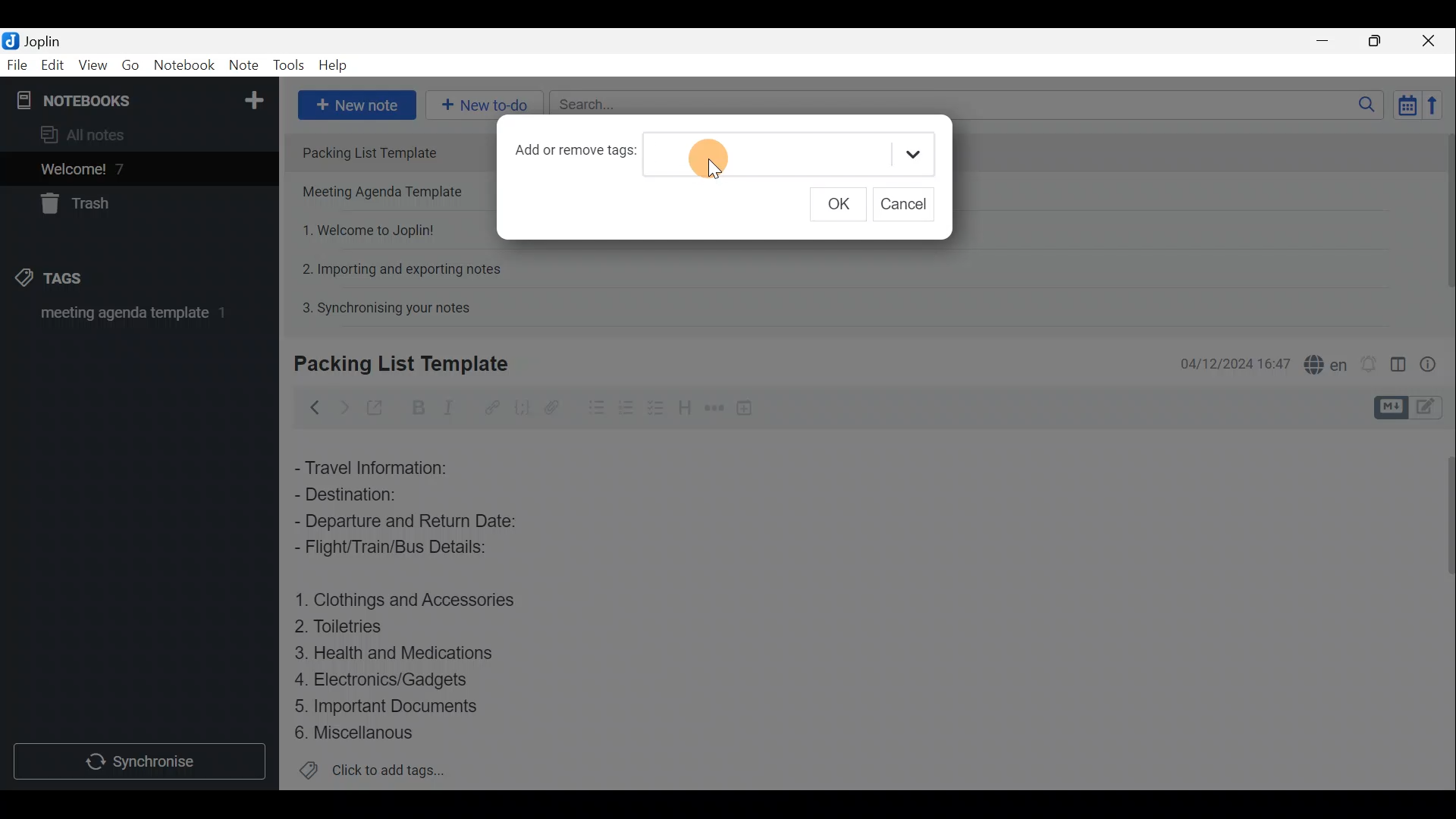  What do you see at coordinates (712, 408) in the screenshot?
I see `Horizontal rule` at bounding box center [712, 408].